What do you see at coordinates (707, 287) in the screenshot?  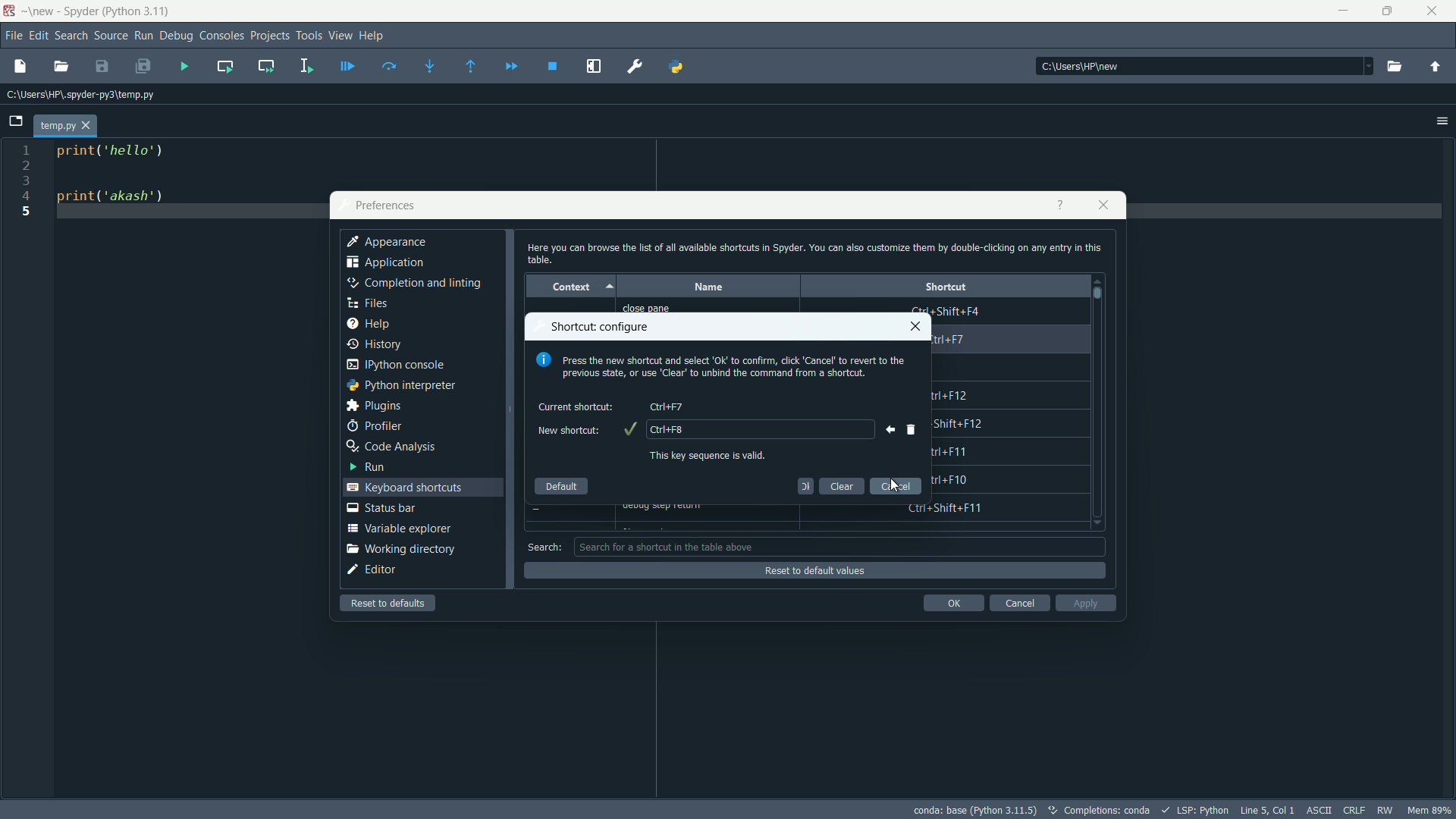 I see `name` at bounding box center [707, 287].